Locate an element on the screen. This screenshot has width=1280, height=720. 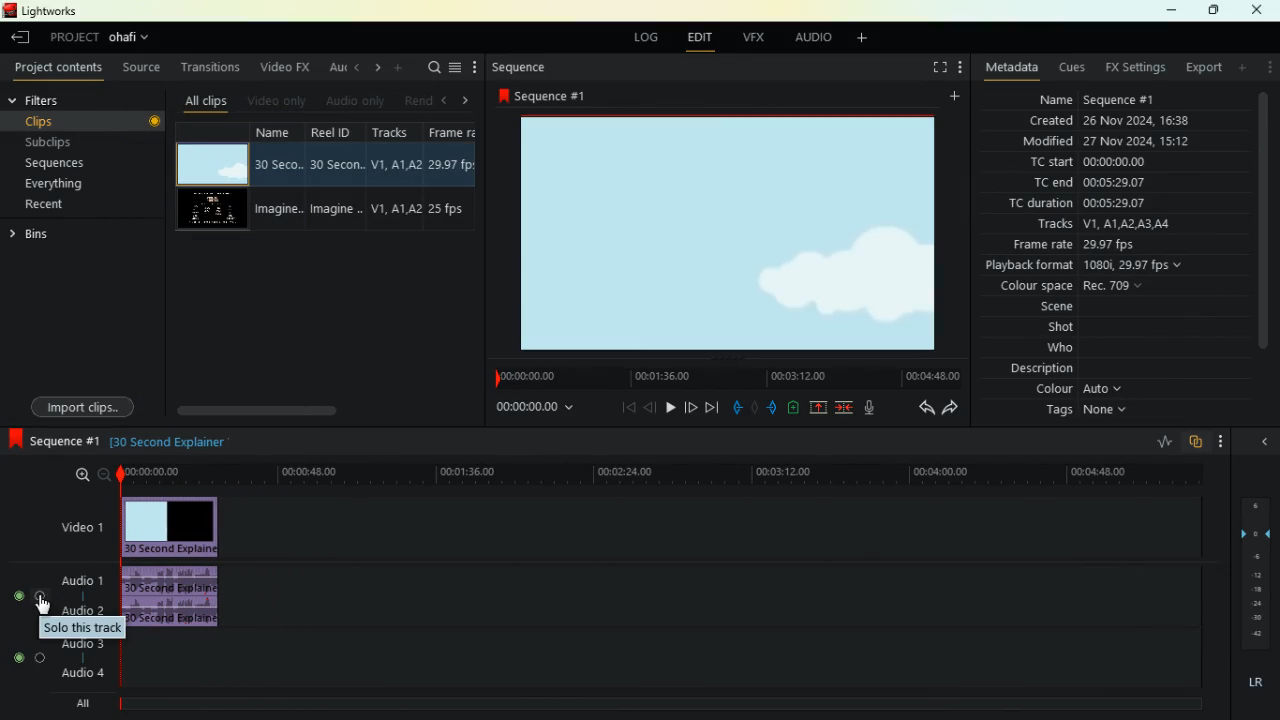
menu is located at coordinates (456, 67).